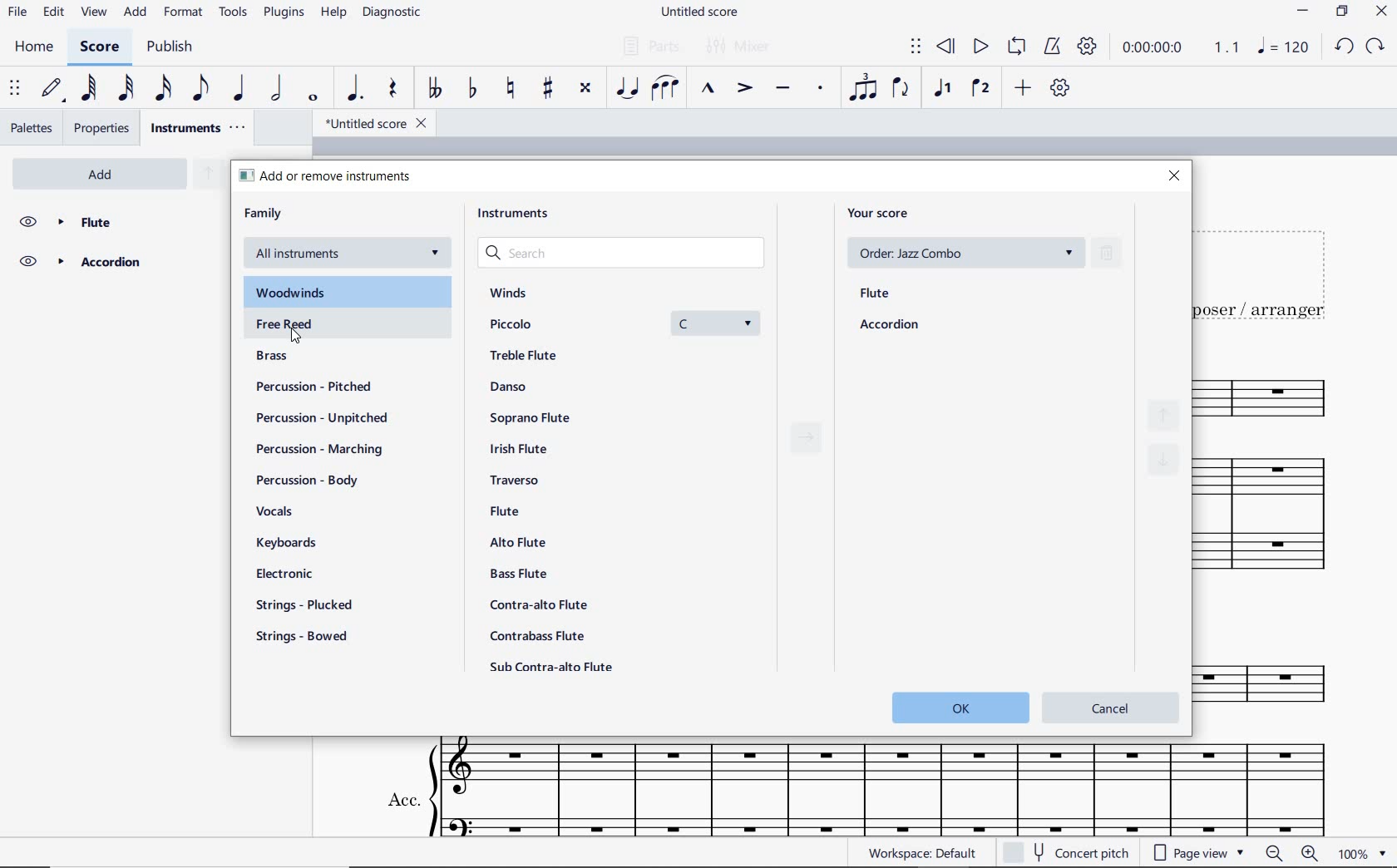 This screenshot has width=1397, height=868. Describe the element at coordinates (980, 89) in the screenshot. I see `voice 2` at that location.